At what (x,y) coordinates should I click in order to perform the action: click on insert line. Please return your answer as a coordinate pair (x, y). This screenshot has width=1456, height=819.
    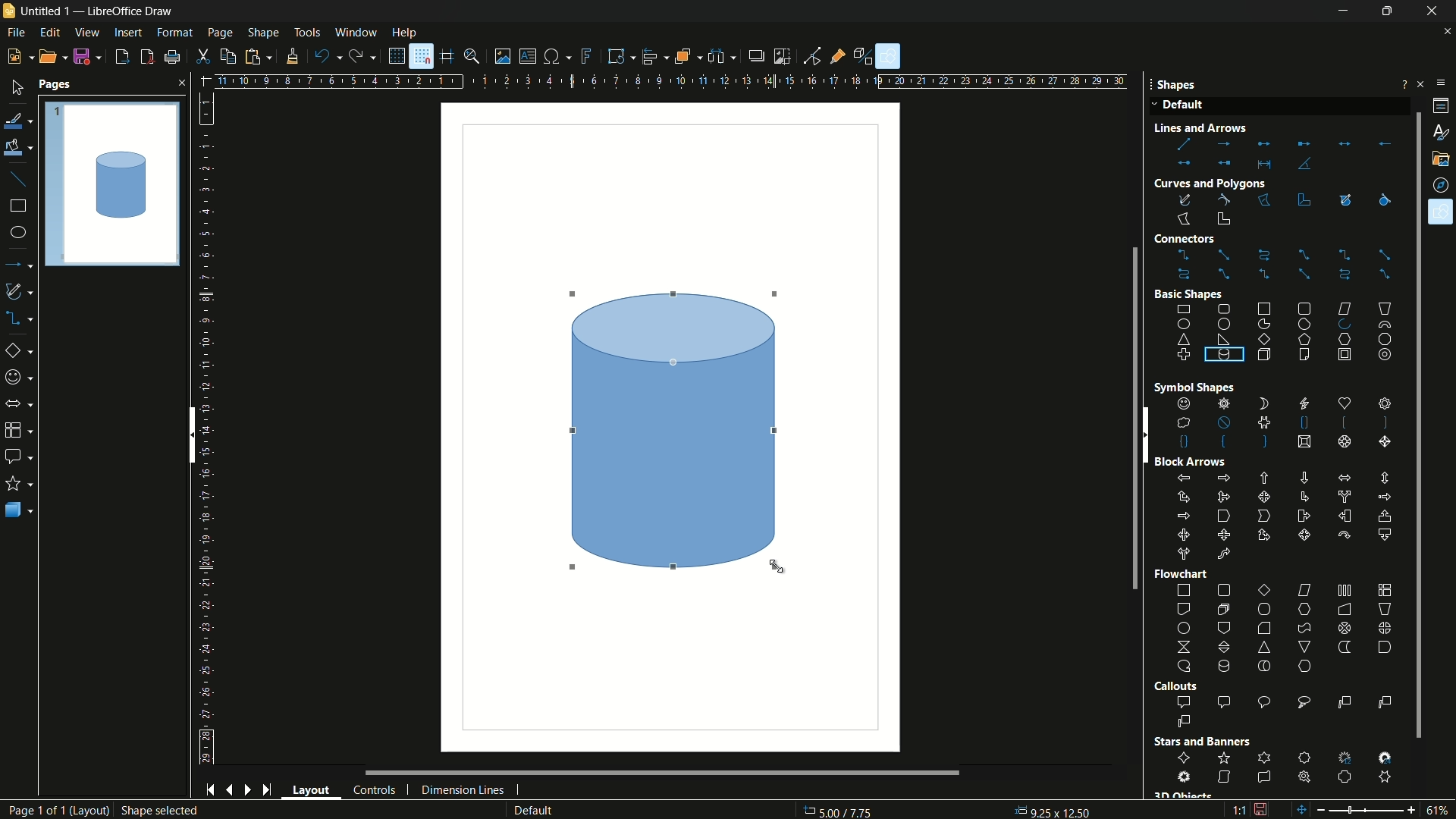
    Looking at the image, I should click on (17, 179).